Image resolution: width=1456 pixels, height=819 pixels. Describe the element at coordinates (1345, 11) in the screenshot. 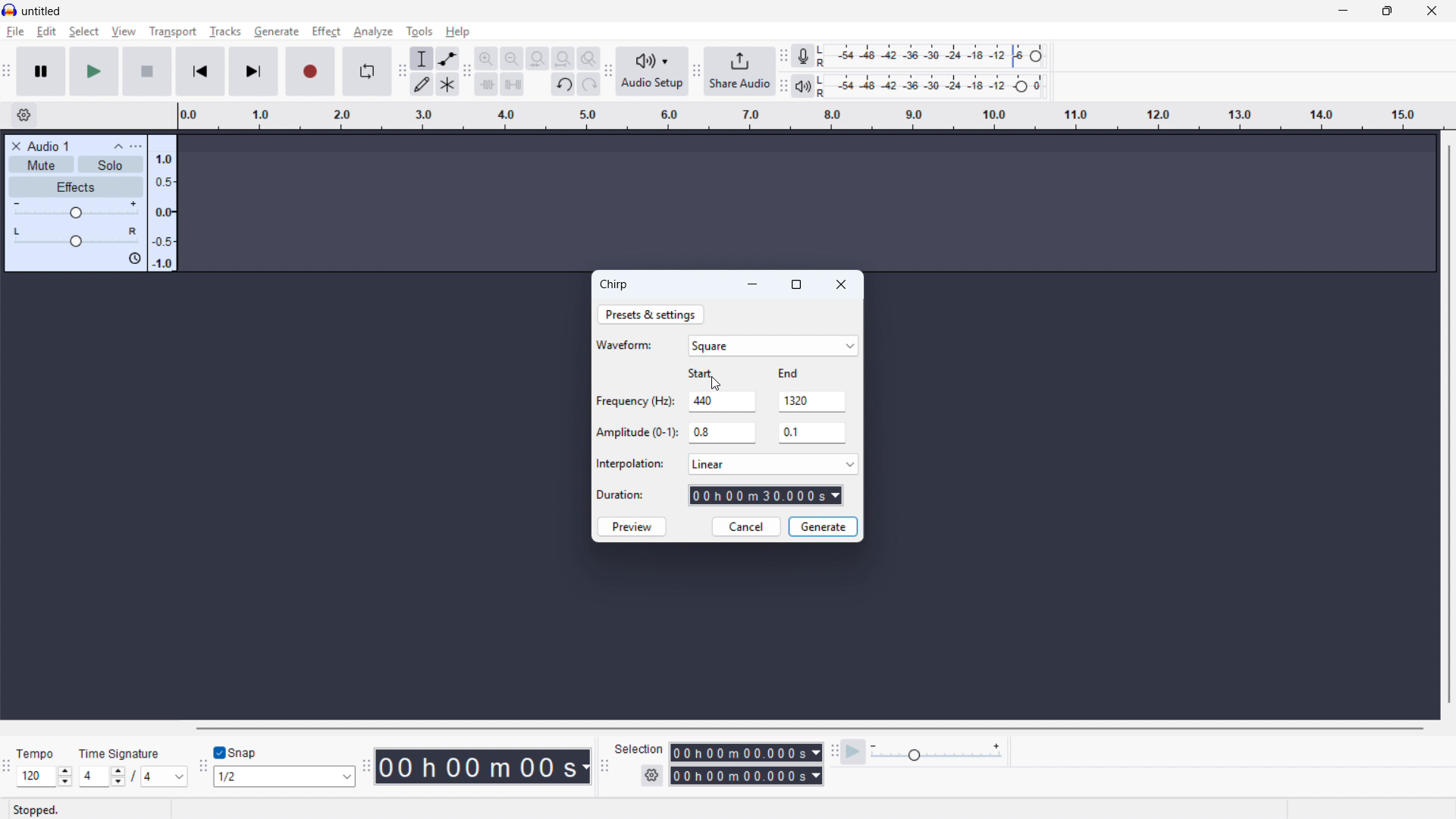

I see `minimise ` at that location.